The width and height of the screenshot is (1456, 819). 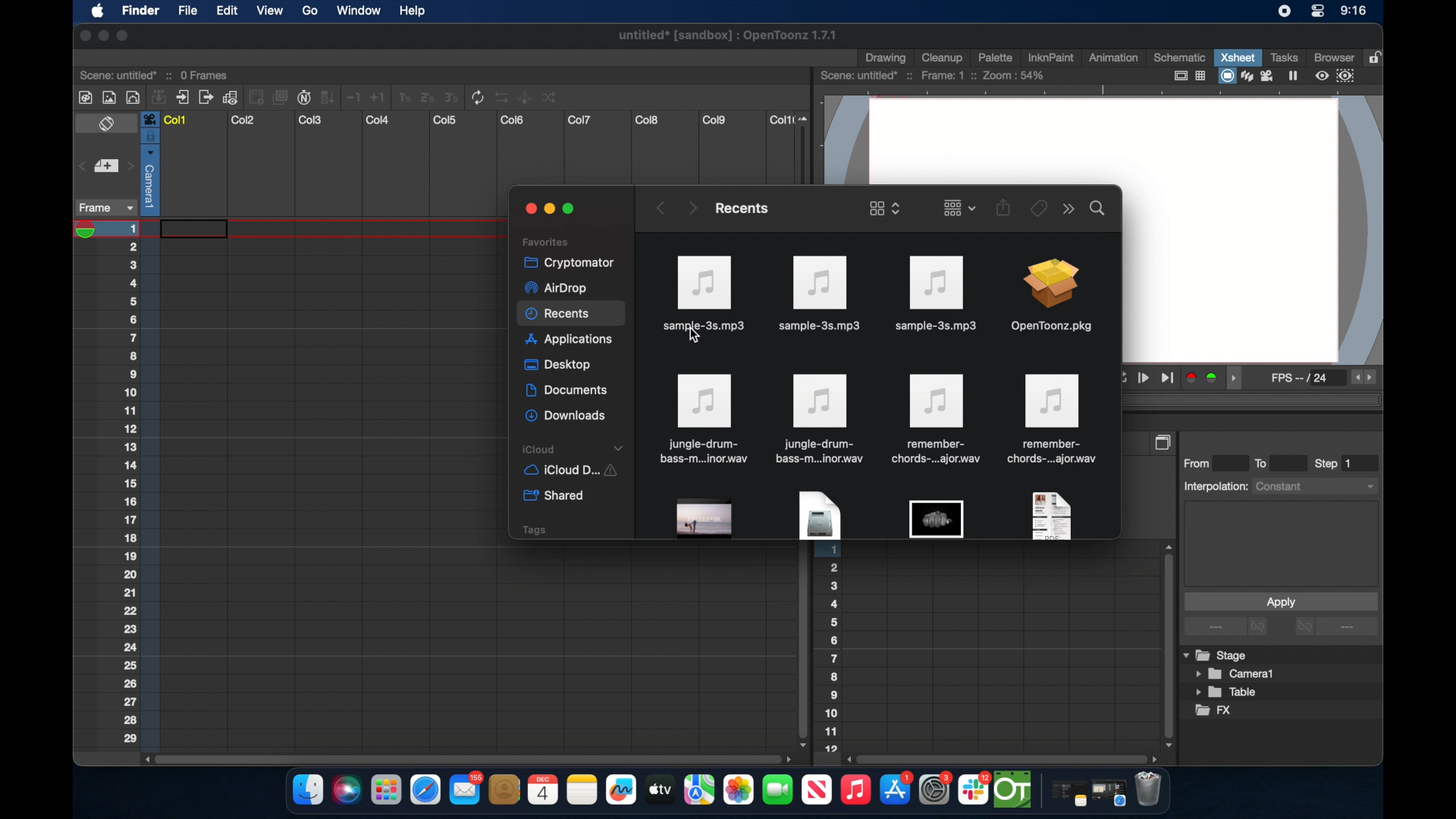 I want to click on desktop, so click(x=560, y=366).